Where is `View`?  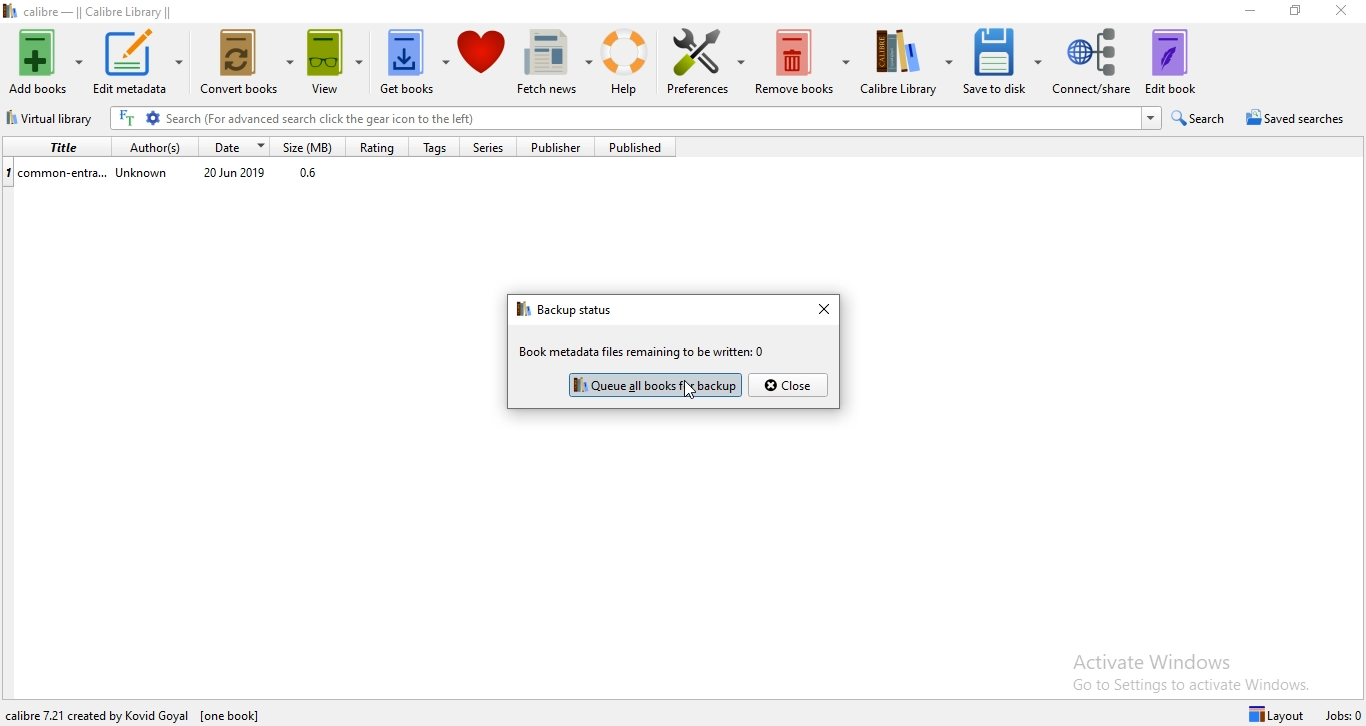 View is located at coordinates (340, 65).